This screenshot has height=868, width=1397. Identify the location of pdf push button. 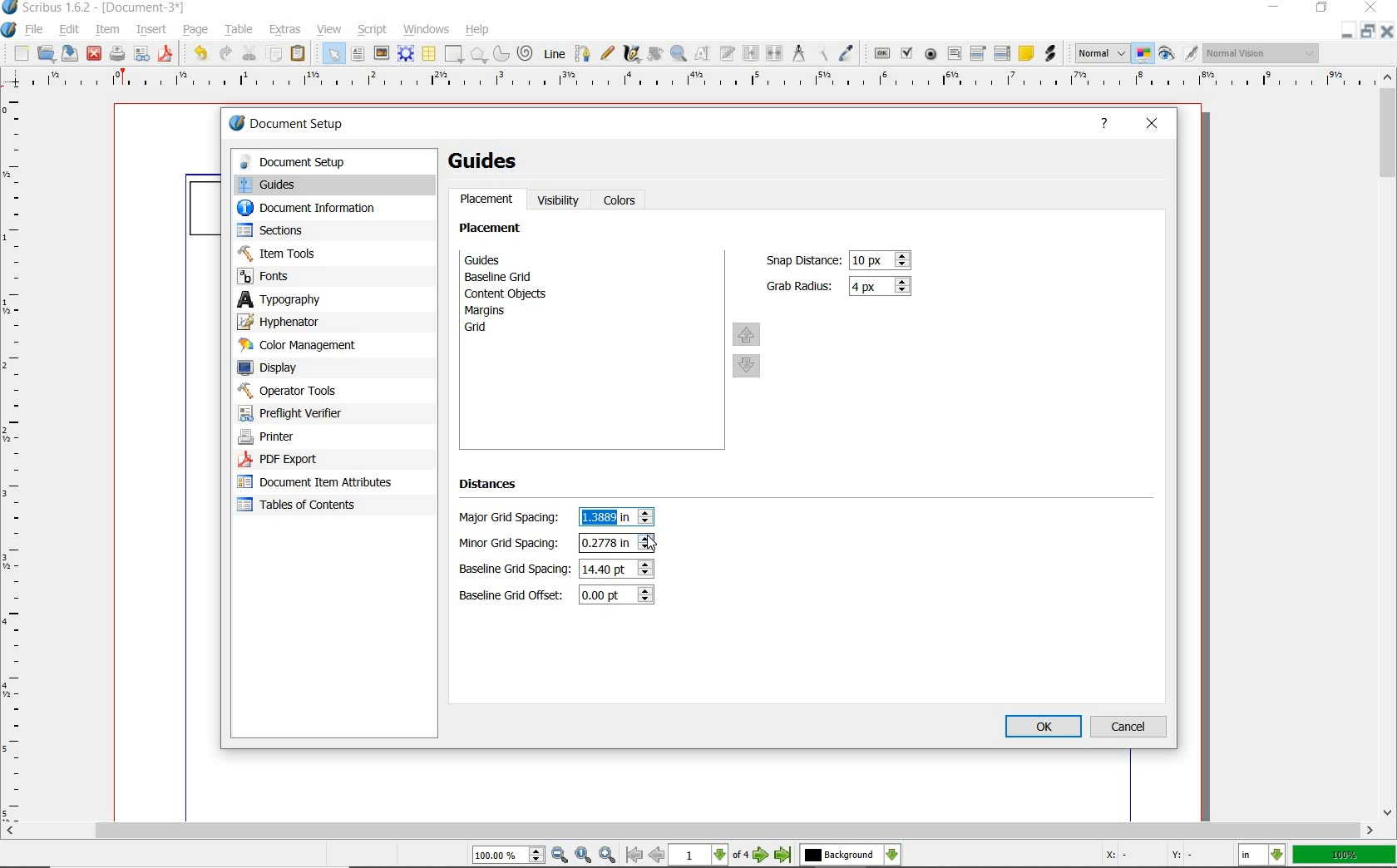
(881, 52).